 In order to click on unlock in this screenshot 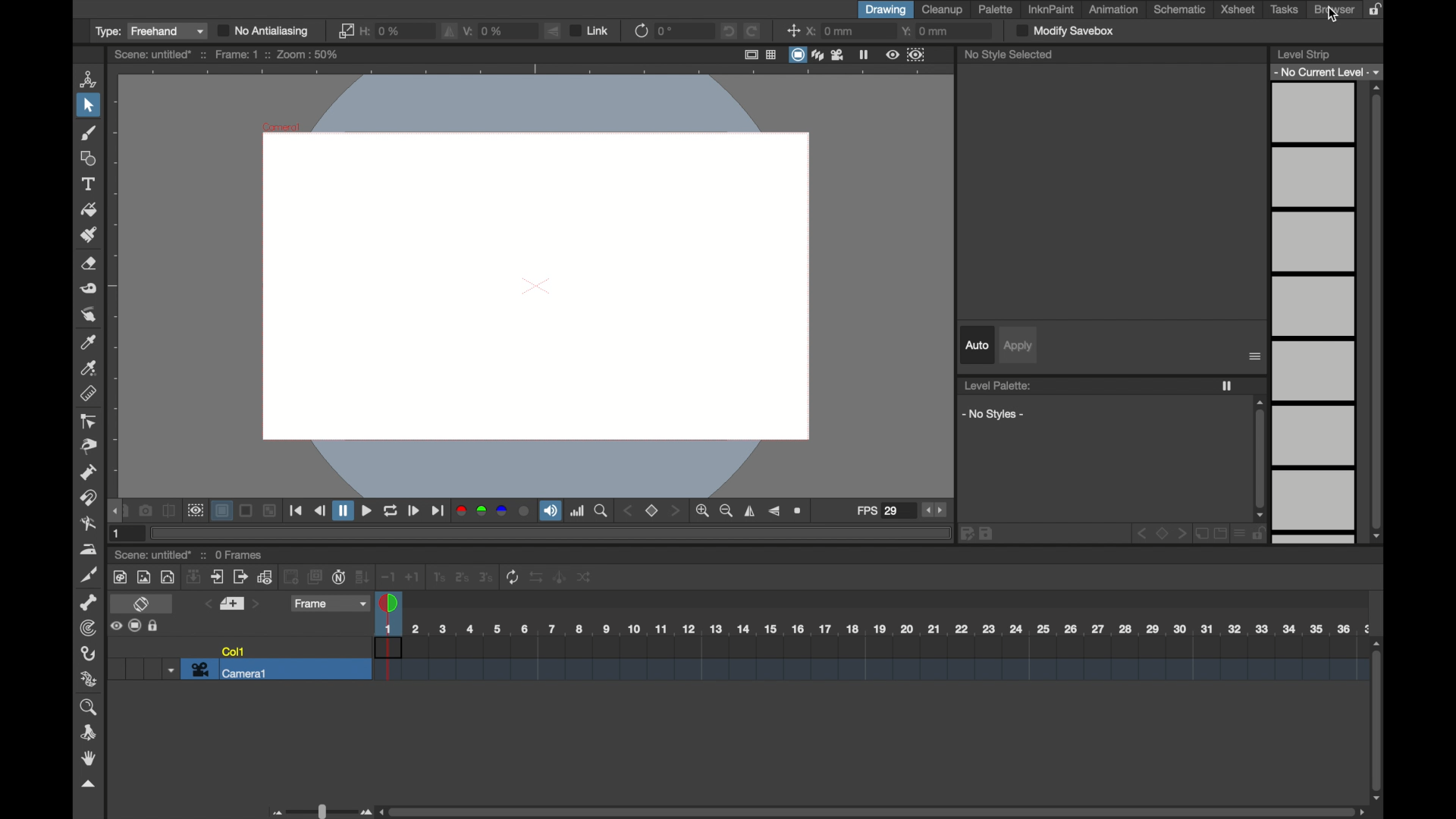, I will do `click(154, 626)`.